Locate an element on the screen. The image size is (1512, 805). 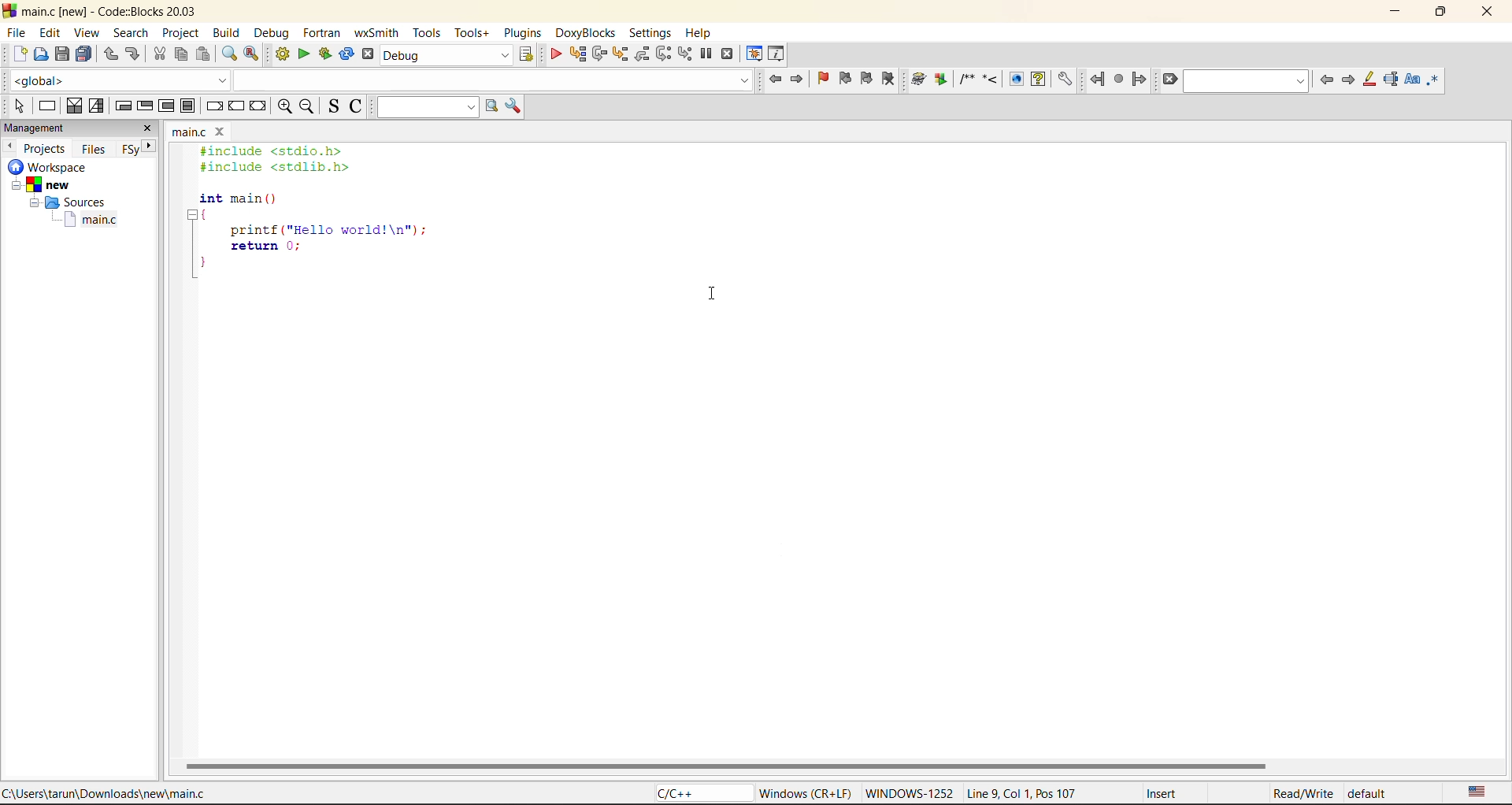
stop debugger is located at coordinates (728, 55).